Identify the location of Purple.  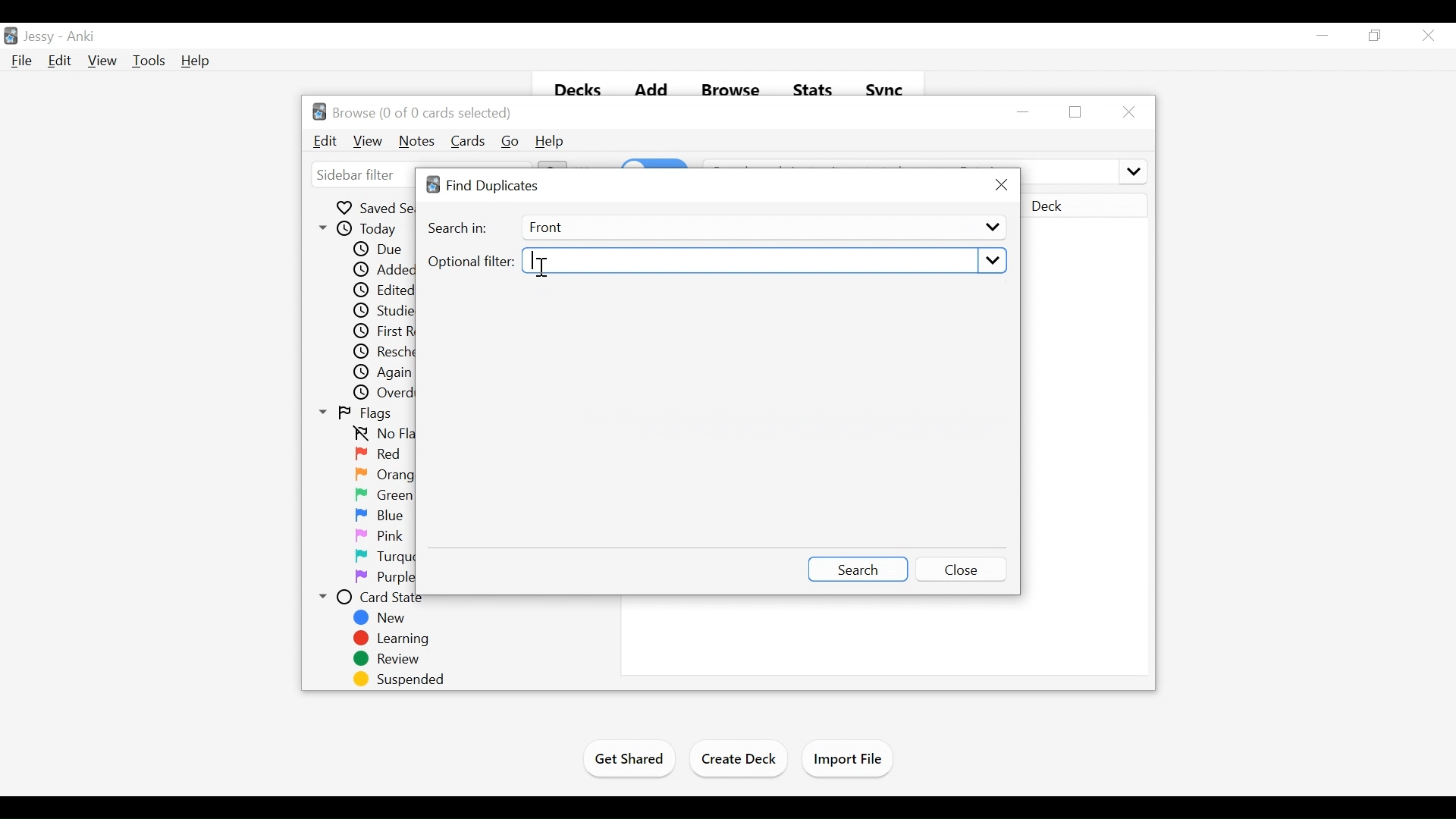
(385, 578).